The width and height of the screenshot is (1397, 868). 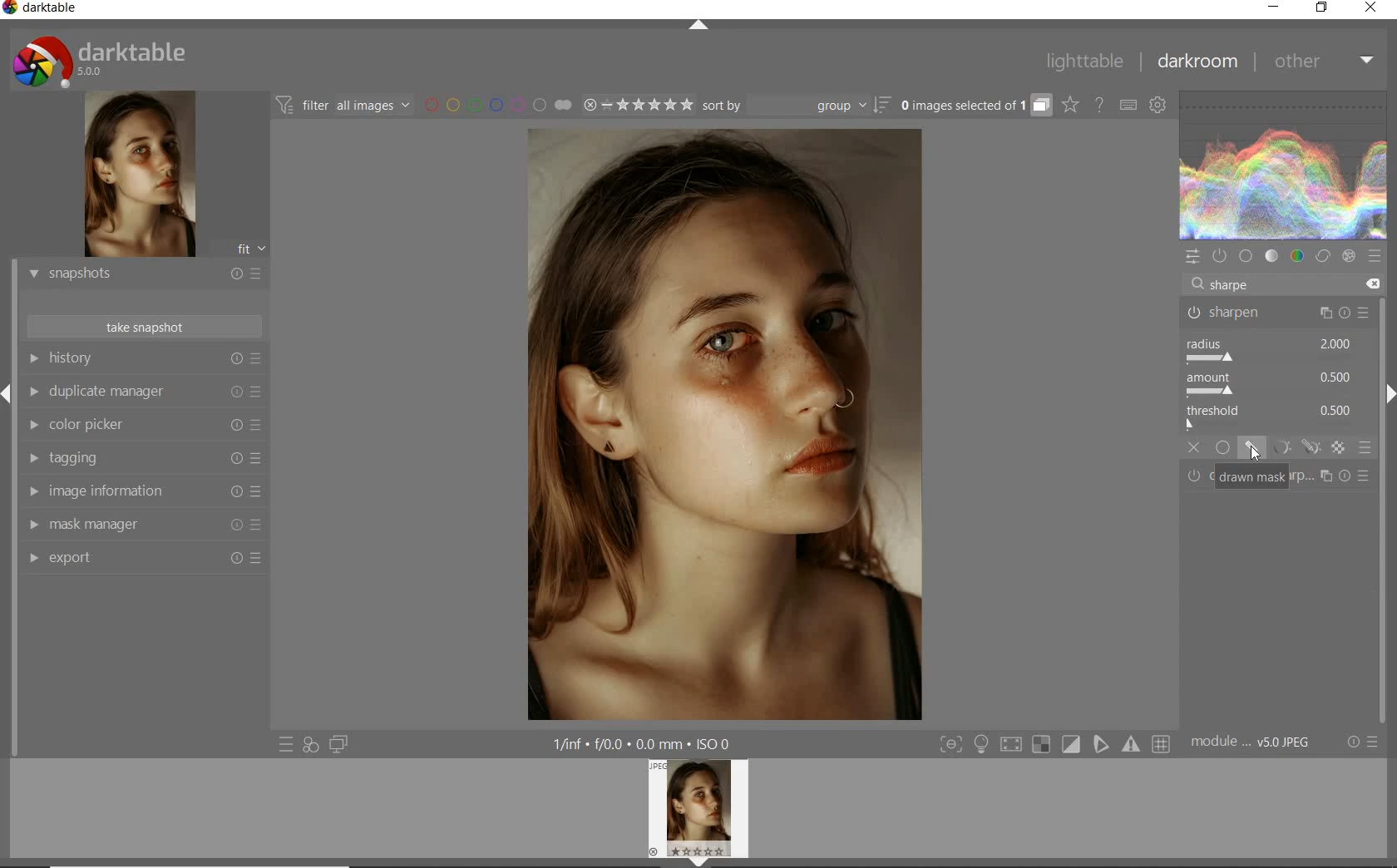 What do you see at coordinates (1193, 257) in the screenshot?
I see `quick access panel` at bounding box center [1193, 257].